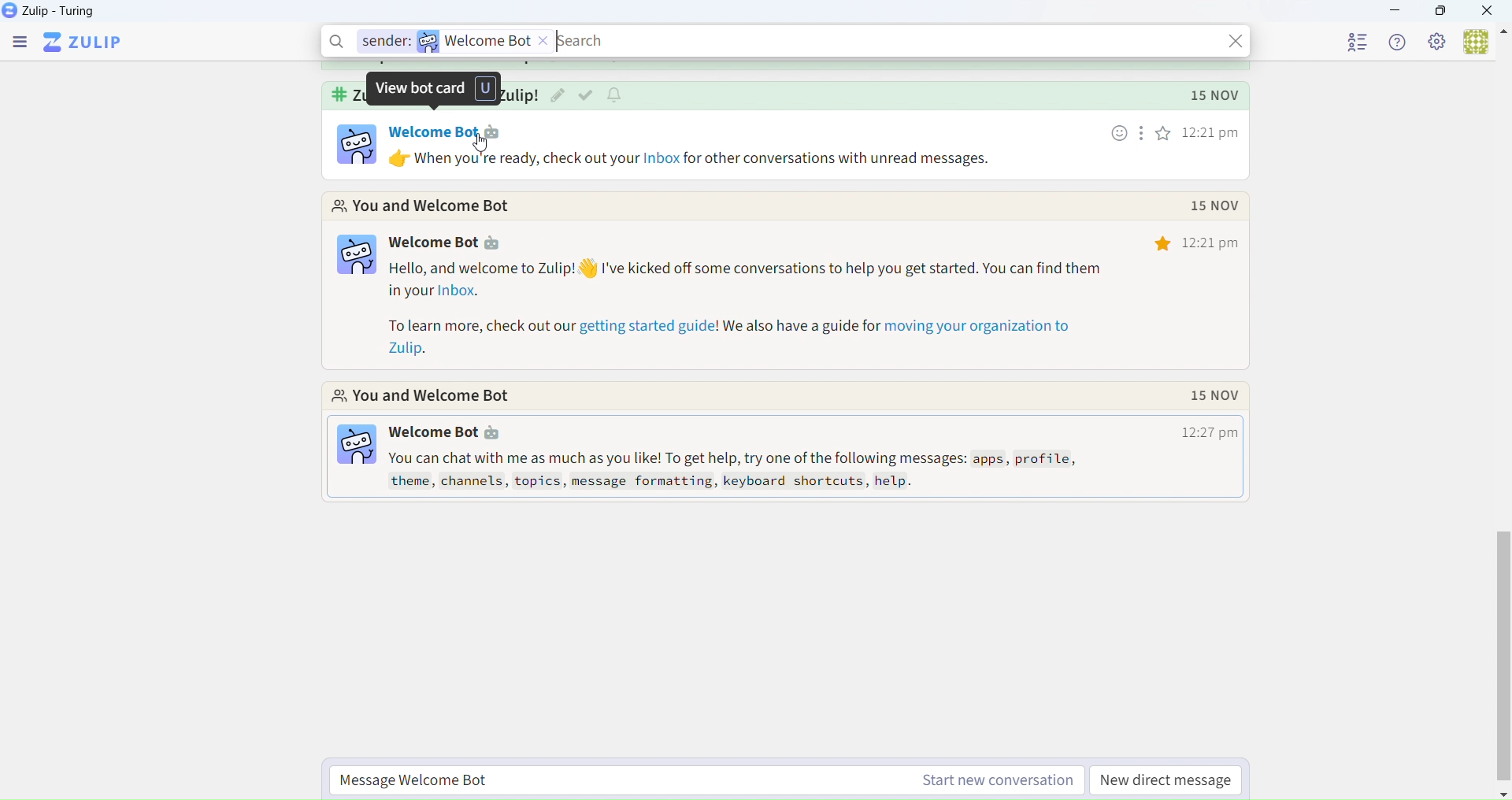 The image size is (1512, 800). I want to click on 12:27 pm |, so click(1201, 435).